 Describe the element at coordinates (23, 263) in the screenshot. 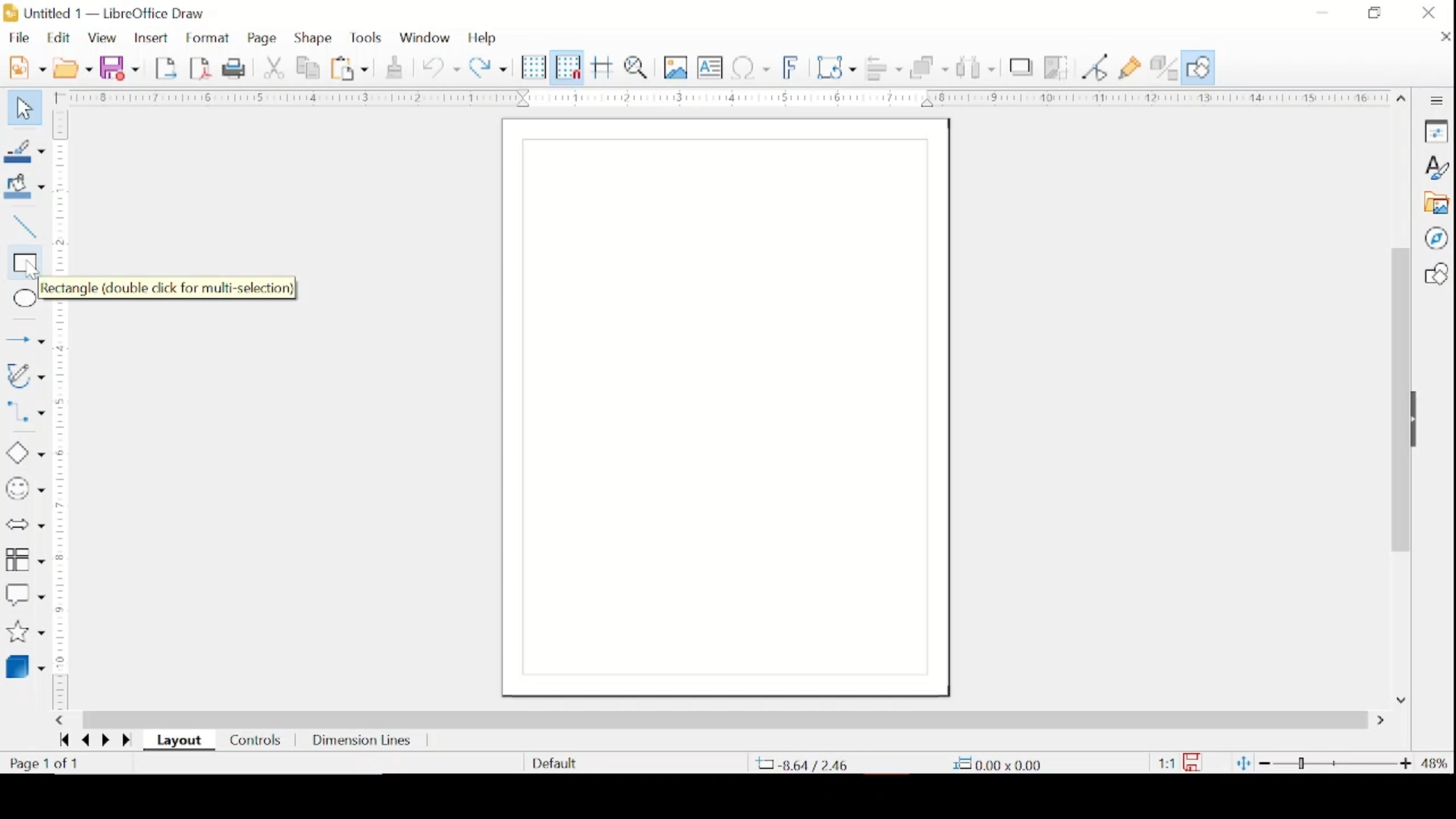

I see `insert rectangle` at that location.